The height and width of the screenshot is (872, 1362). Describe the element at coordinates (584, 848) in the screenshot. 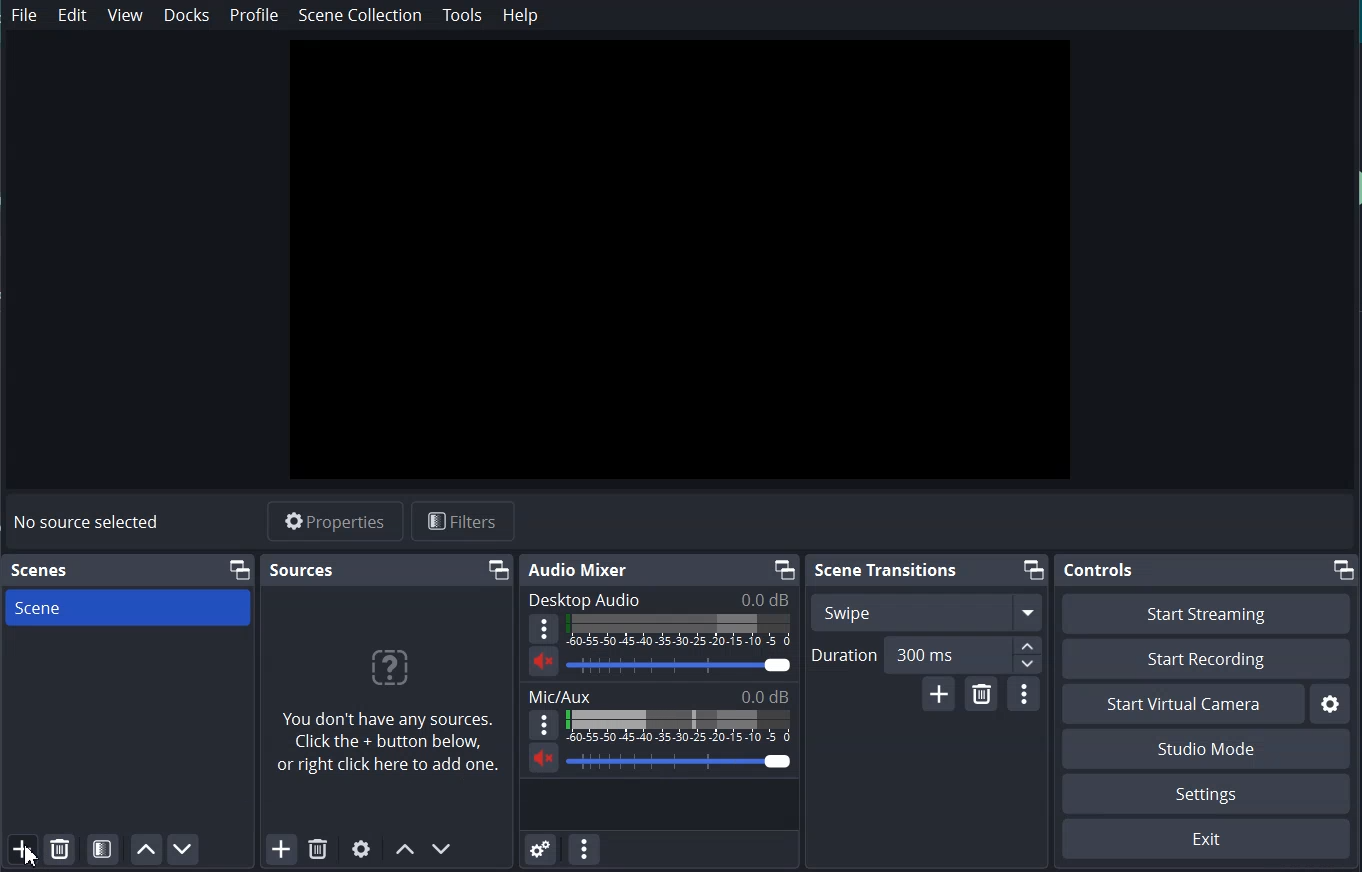

I see `Audio mixer menu` at that location.